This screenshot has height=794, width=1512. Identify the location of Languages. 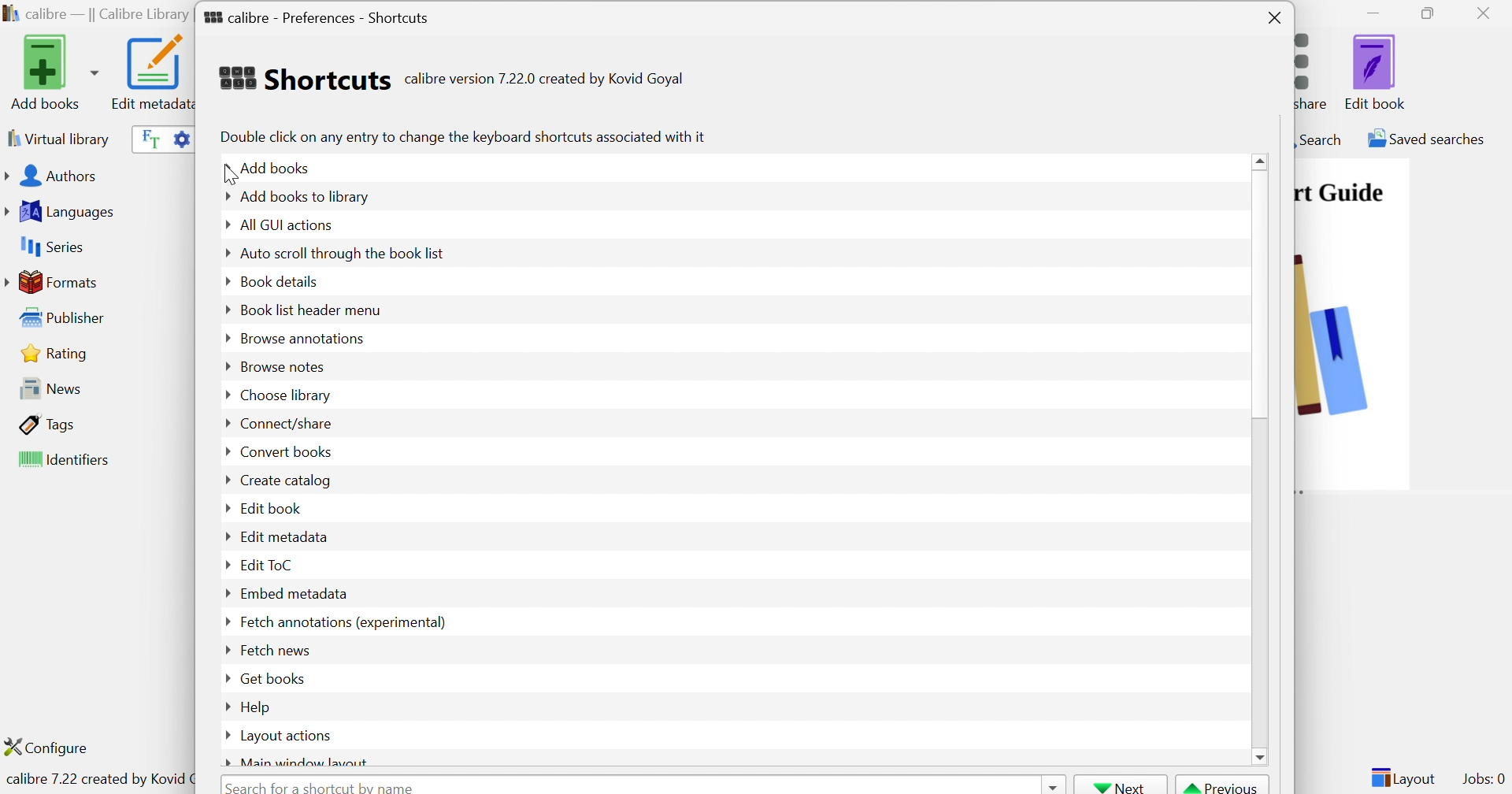
(62, 212).